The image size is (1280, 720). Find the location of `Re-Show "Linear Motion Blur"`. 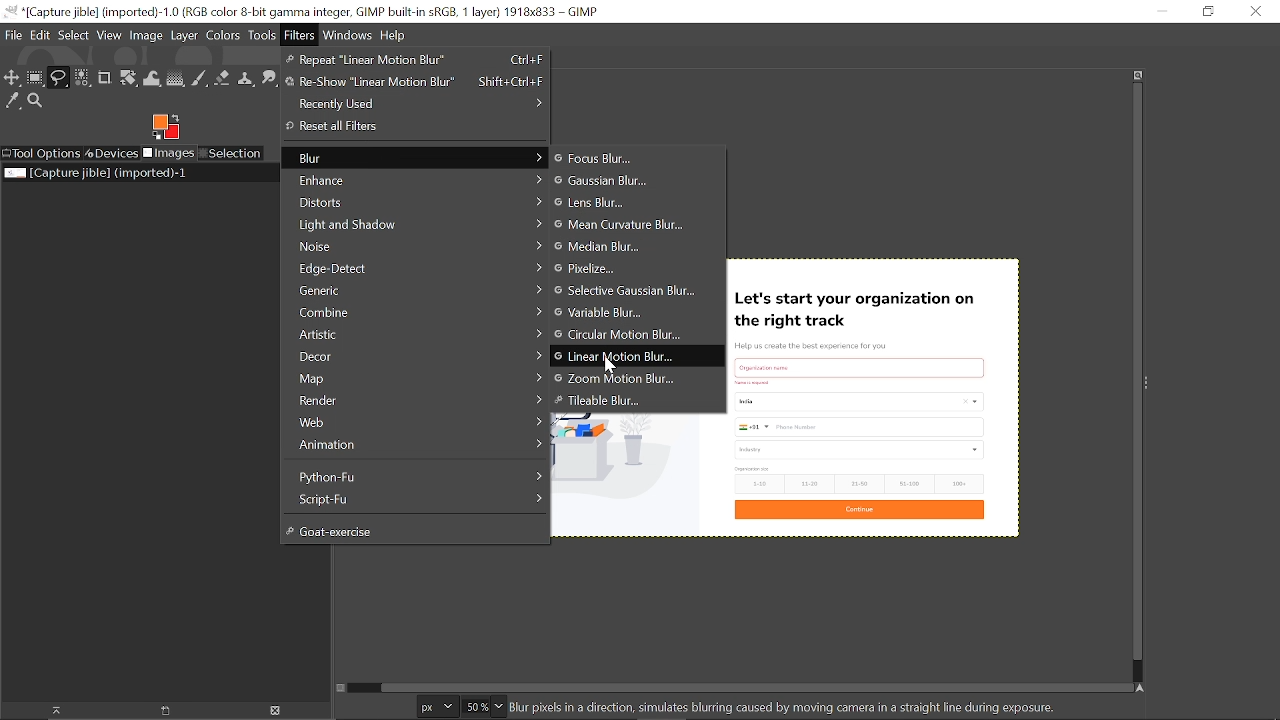

Re-Show "Linear Motion Blur" is located at coordinates (413, 81).